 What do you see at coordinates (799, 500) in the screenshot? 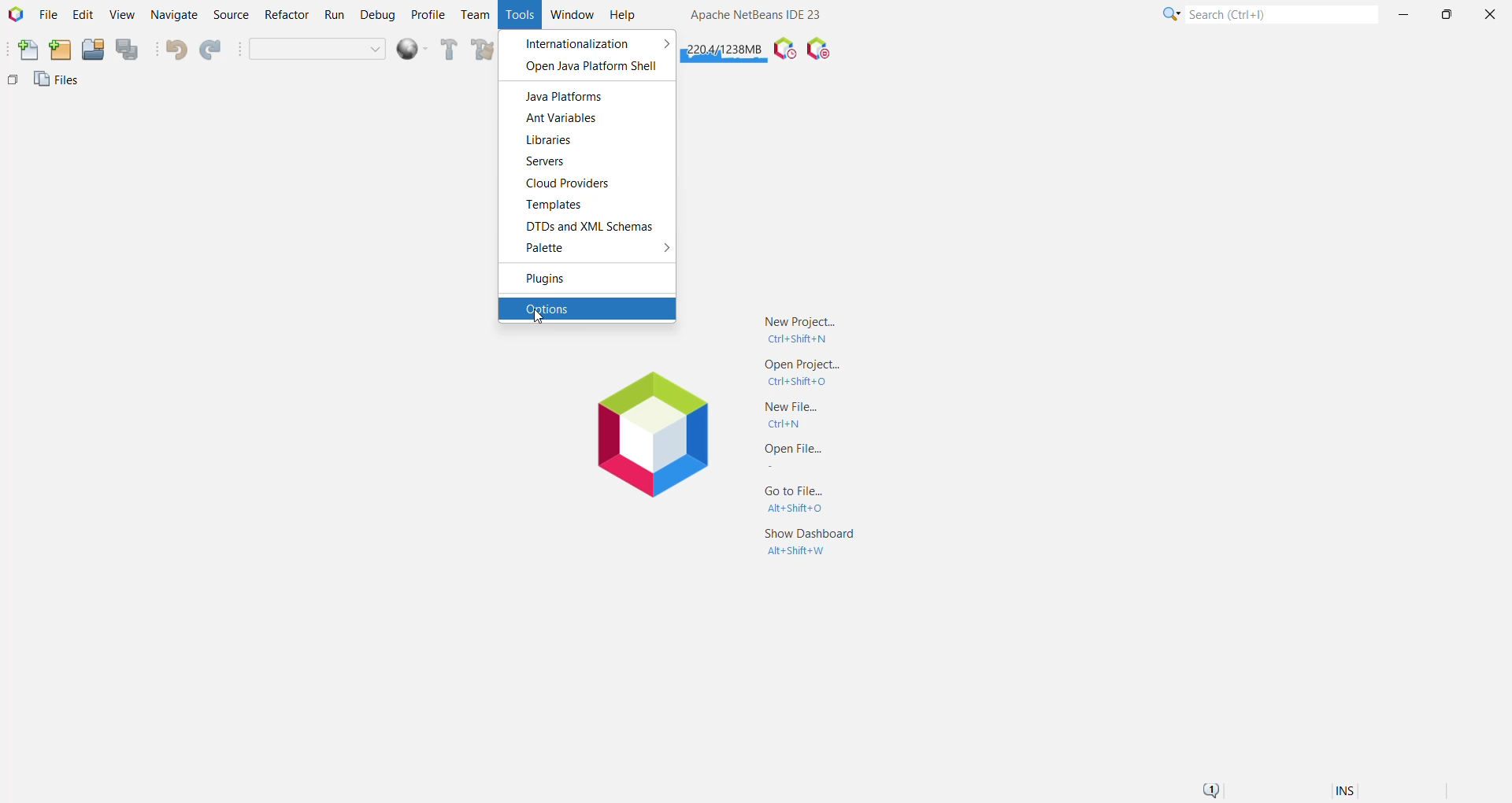
I see `Go to File` at bounding box center [799, 500].